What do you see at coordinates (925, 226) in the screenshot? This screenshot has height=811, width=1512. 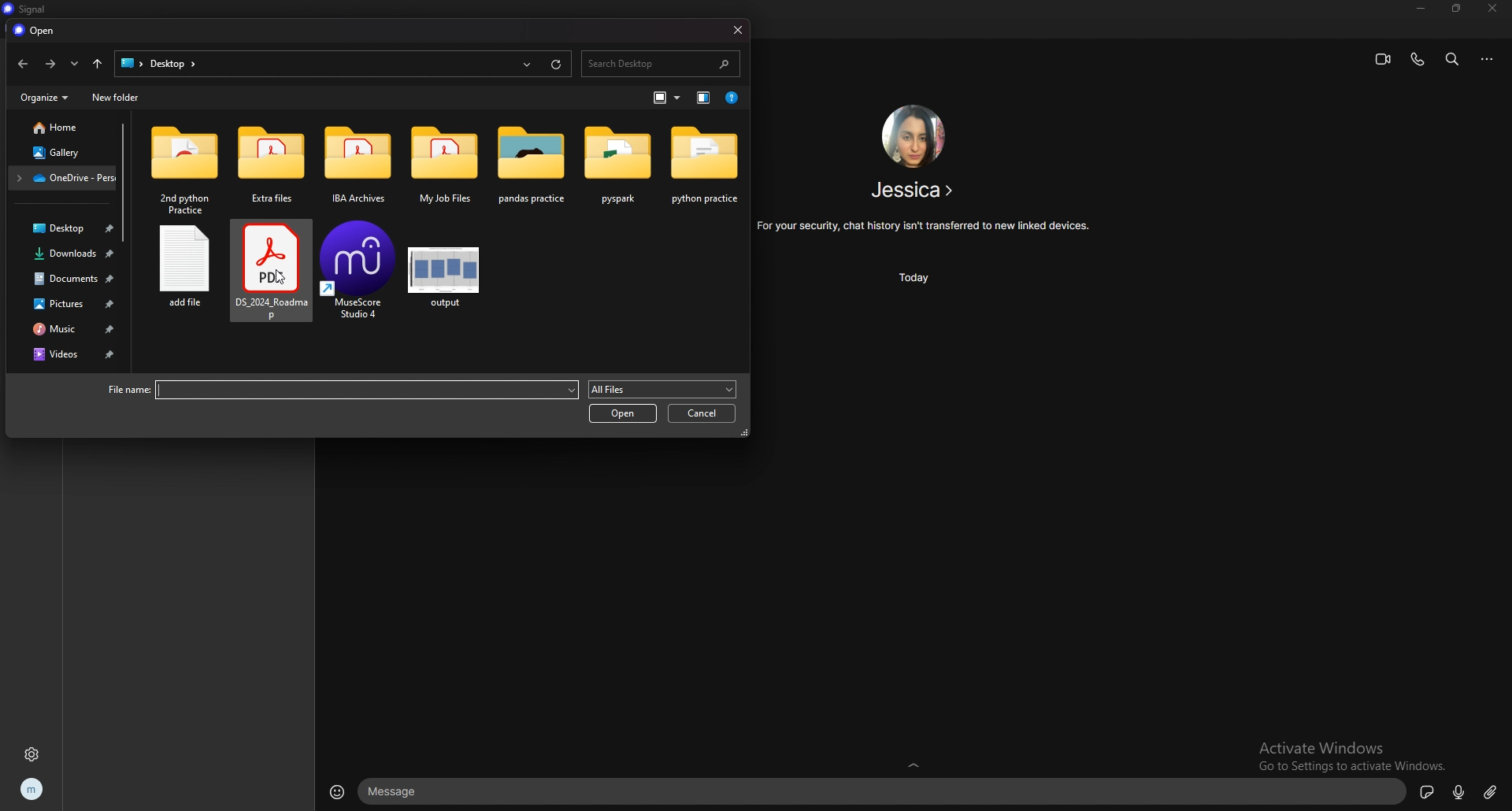 I see `For your security, chat history isn't transferred to new linked devices.` at bounding box center [925, 226].